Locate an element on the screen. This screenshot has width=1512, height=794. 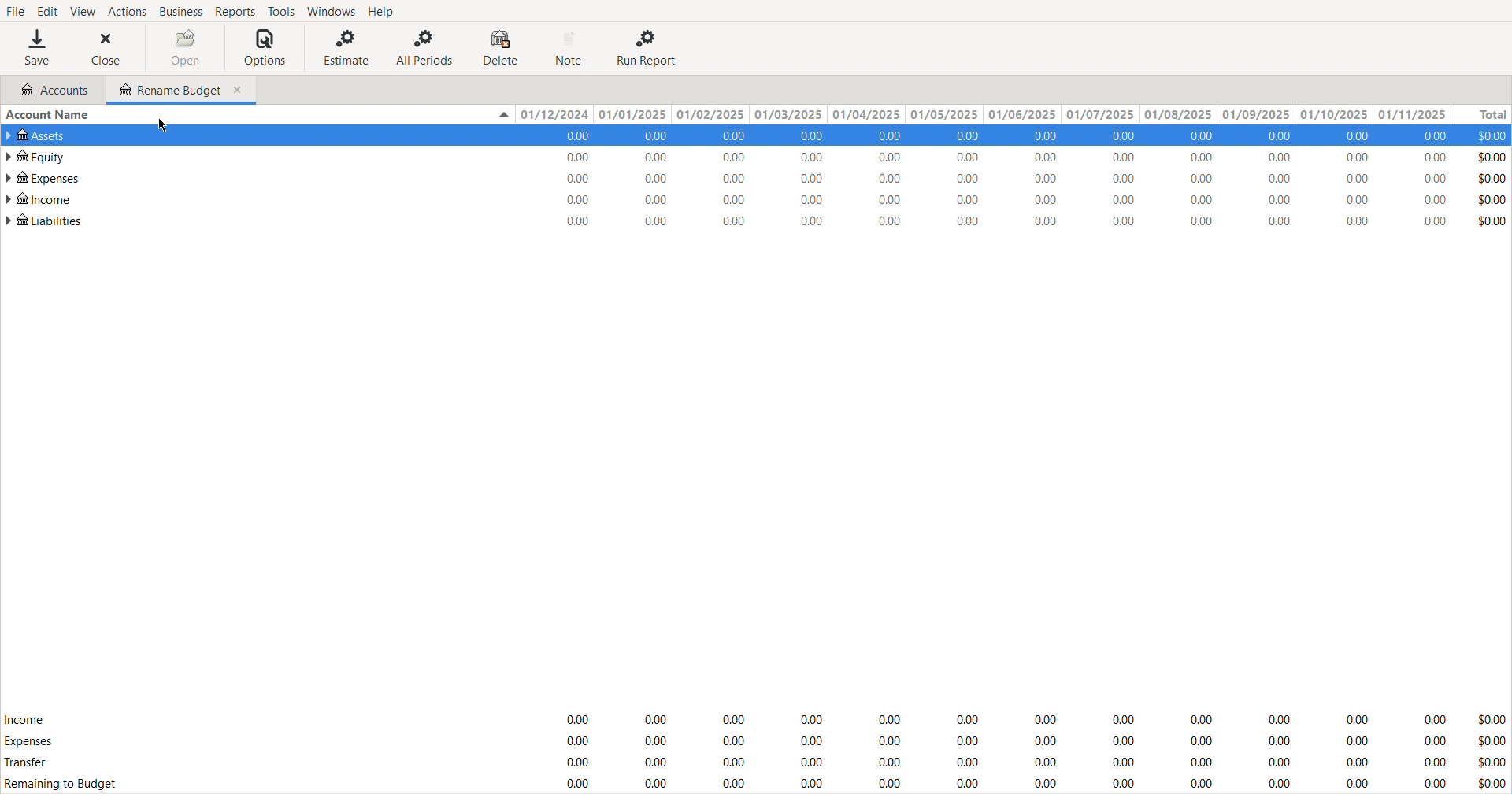
Dates is located at coordinates (979, 115).